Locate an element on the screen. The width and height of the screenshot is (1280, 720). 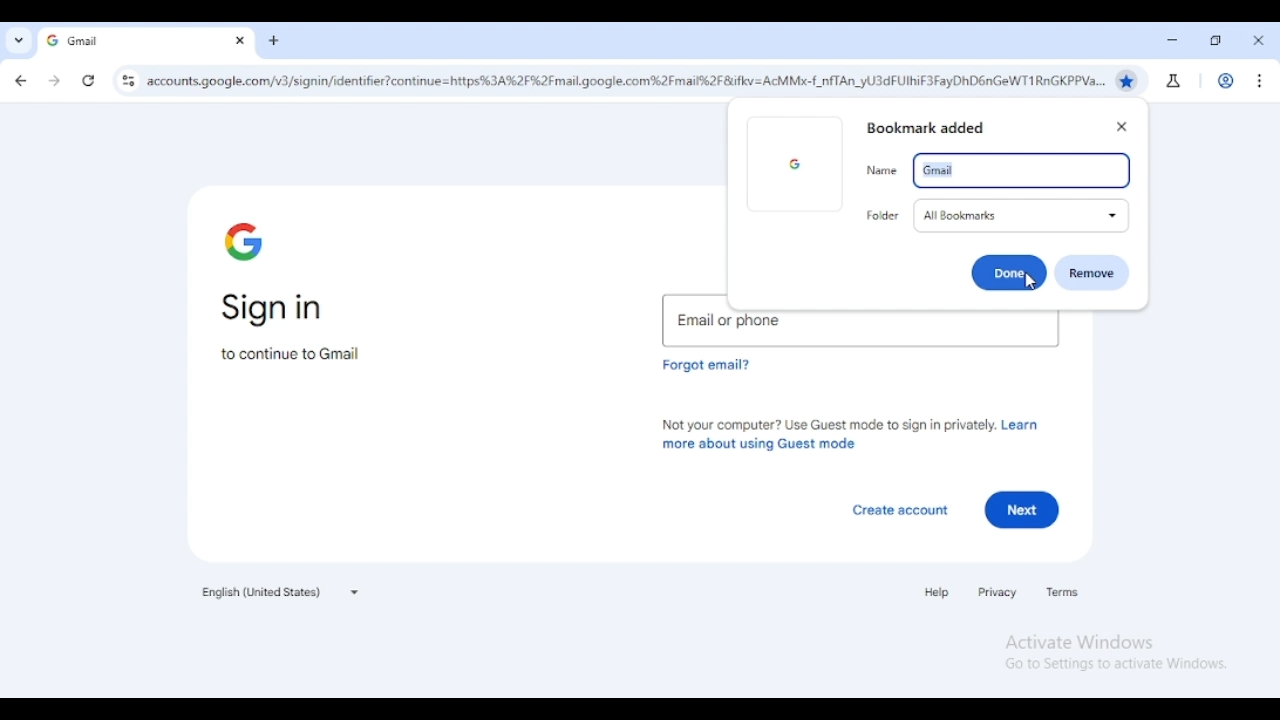
reload this page is located at coordinates (89, 81).